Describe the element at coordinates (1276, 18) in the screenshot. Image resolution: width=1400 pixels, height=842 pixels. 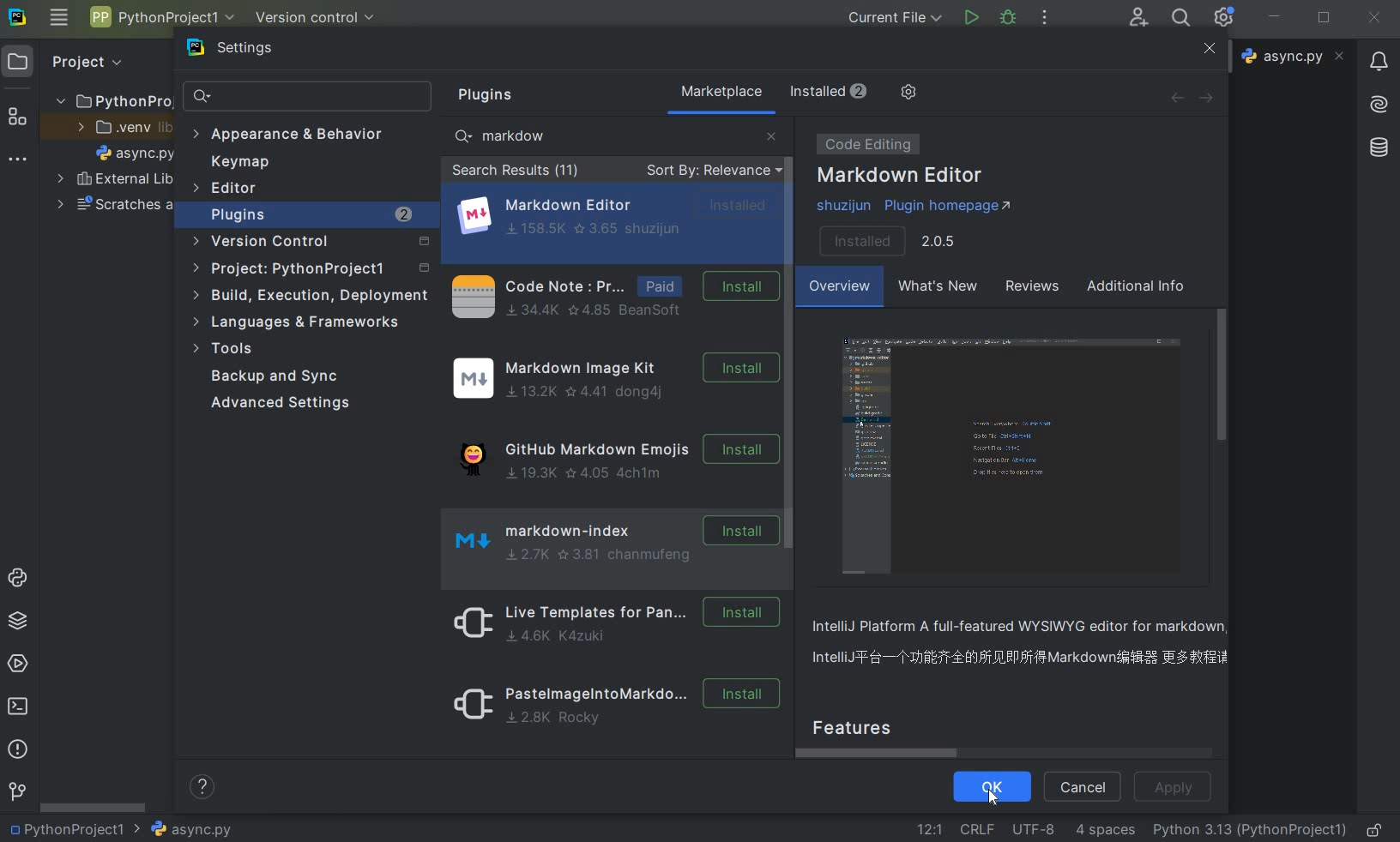
I see `minimize` at that location.